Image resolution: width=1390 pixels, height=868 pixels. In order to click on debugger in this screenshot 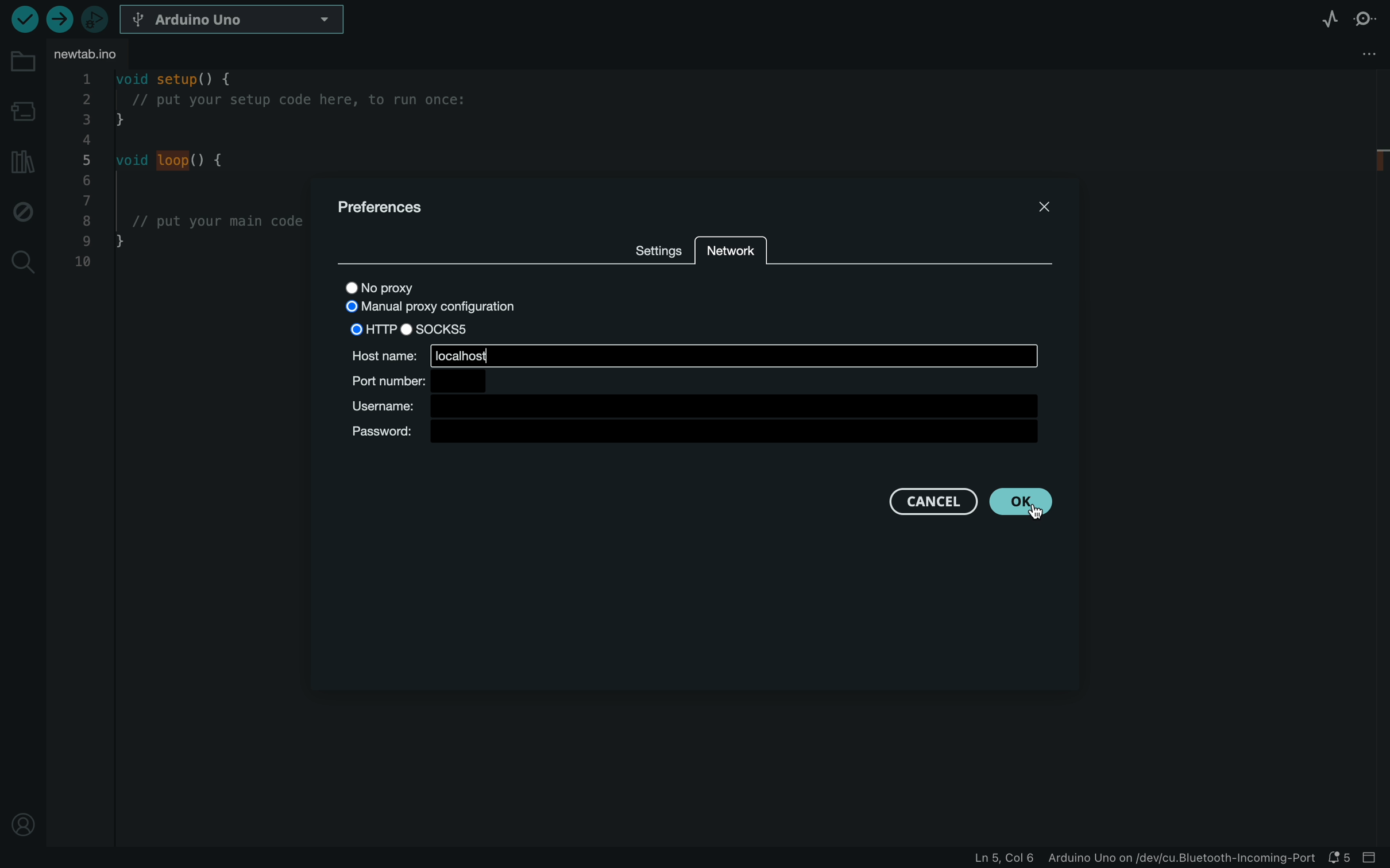, I will do `click(96, 18)`.